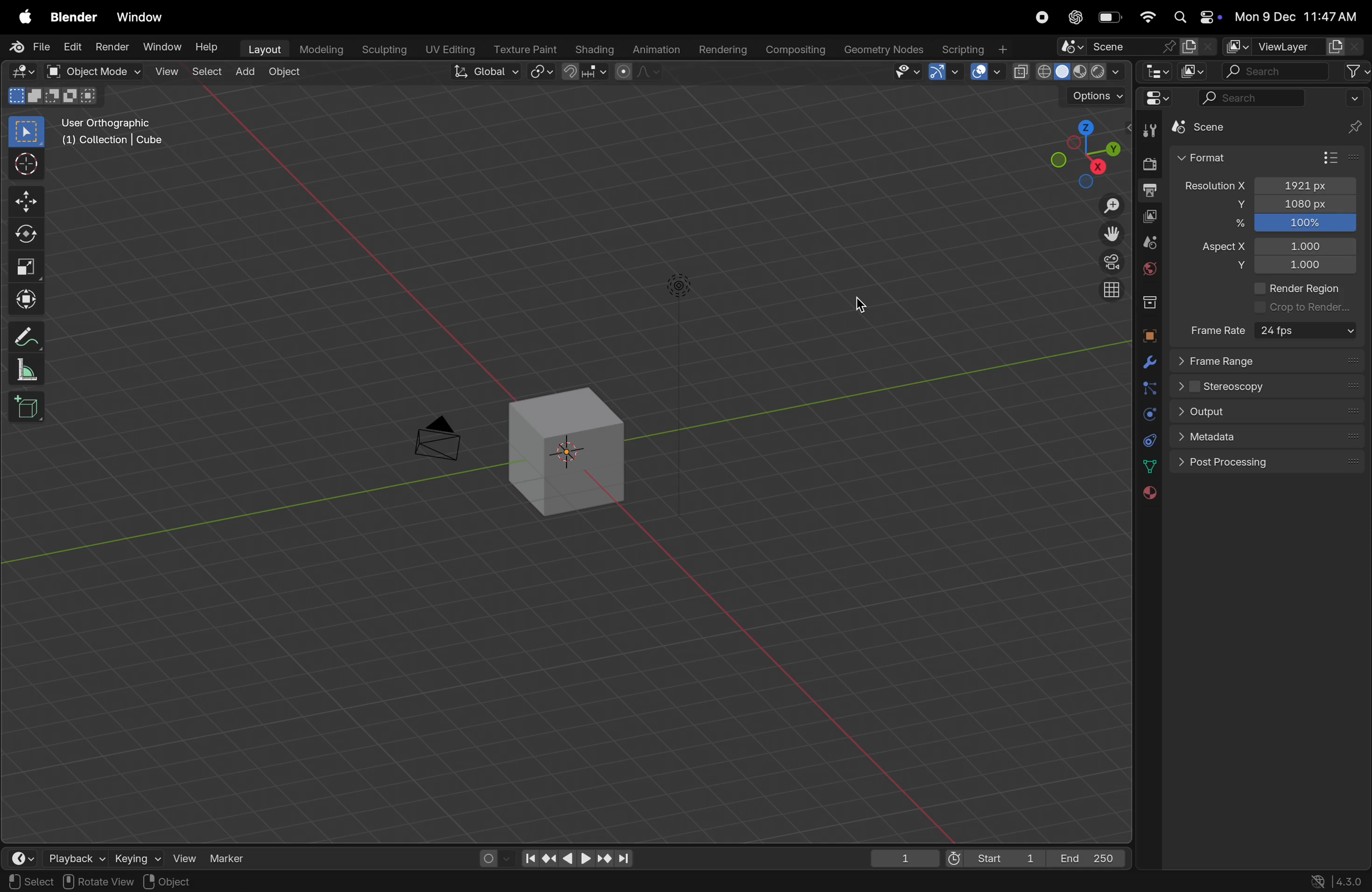 Image resolution: width=1372 pixels, height=892 pixels. What do you see at coordinates (114, 46) in the screenshot?
I see `Render` at bounding box center [114, 46].